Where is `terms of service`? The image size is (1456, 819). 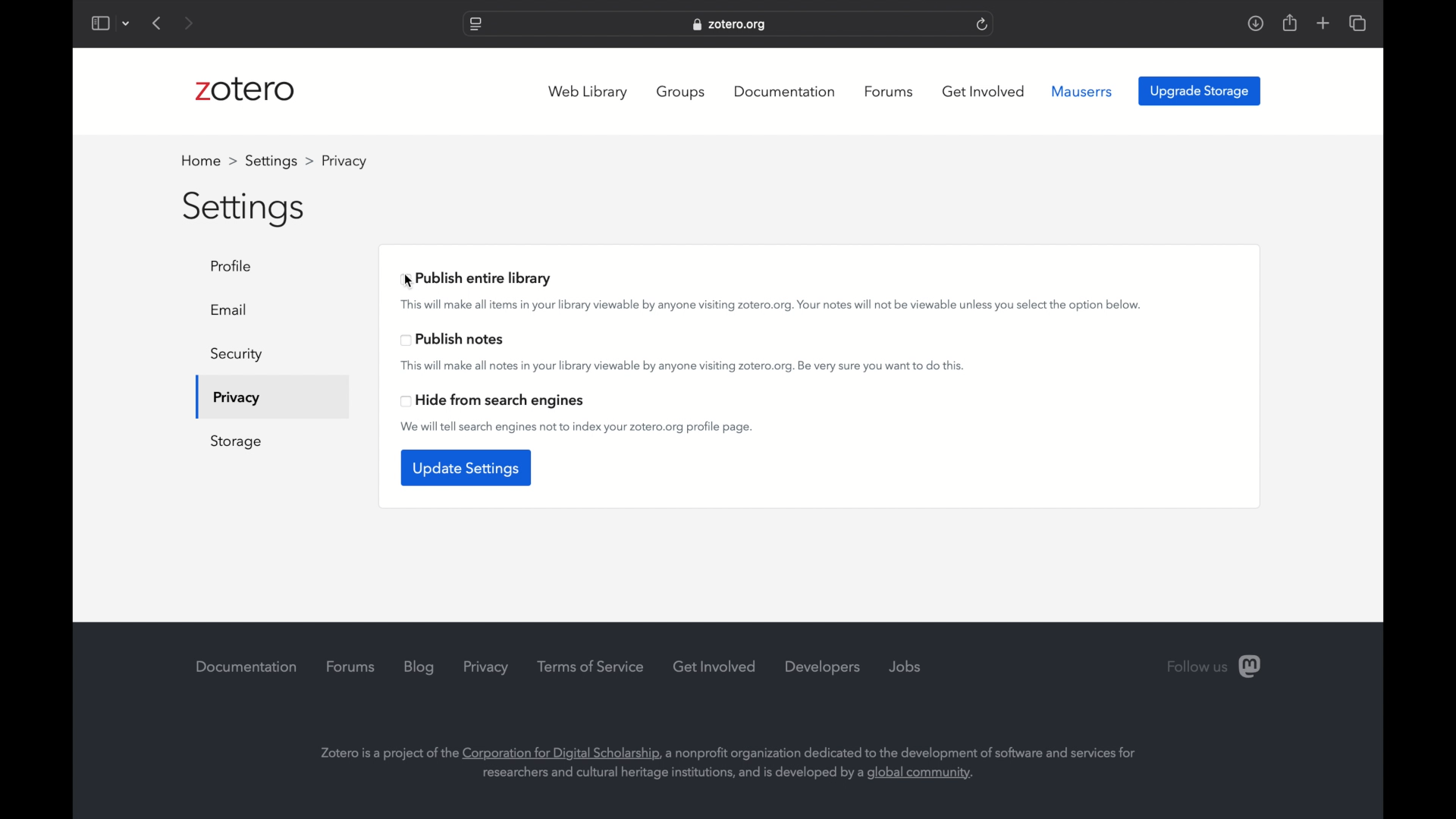 terms of service is located at coordinates (591, 667).